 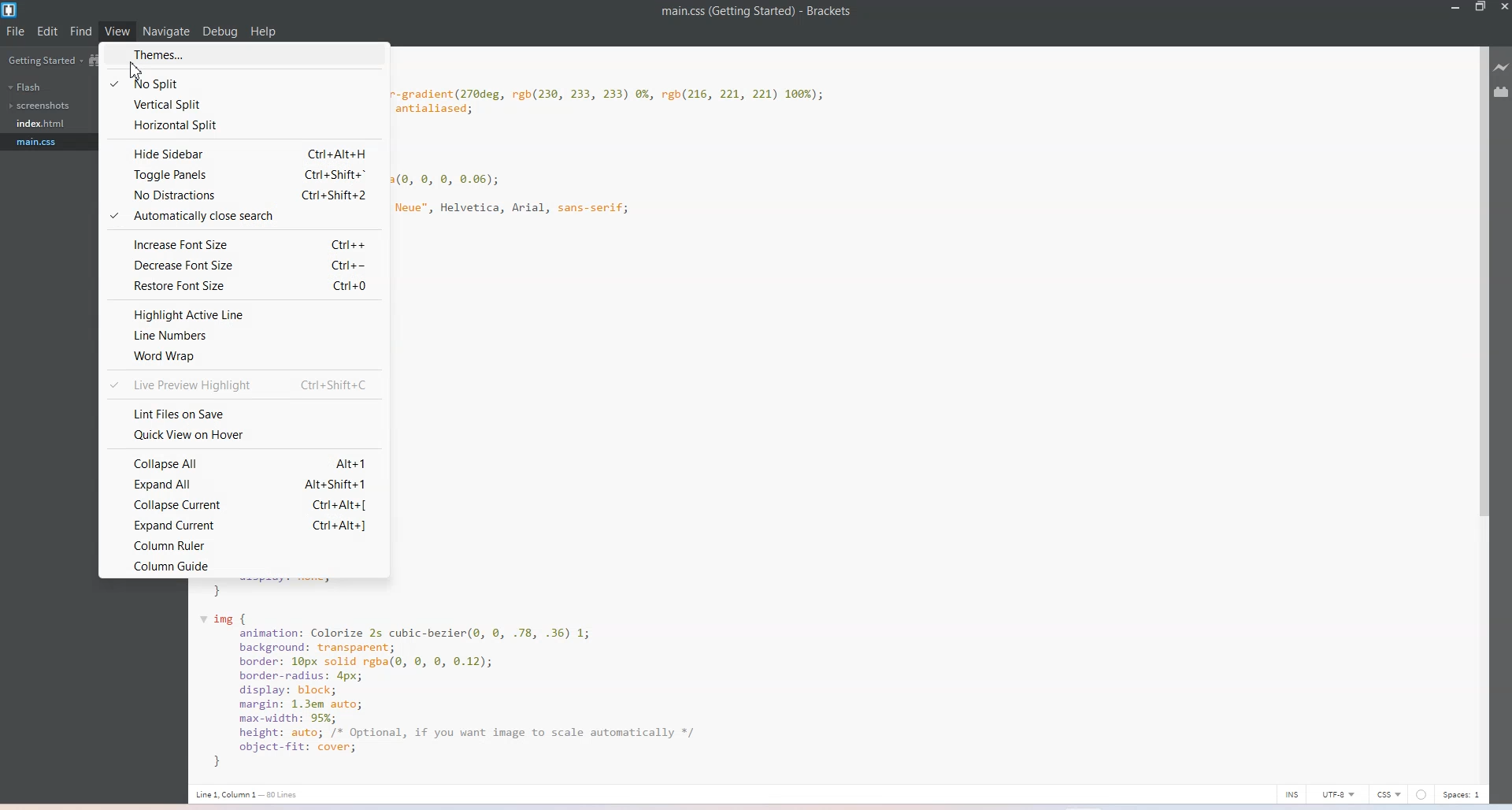 What do you see at coordinates (245, 544) in the screenshot?
I see `column ruler` at bounding box center [245, 544].